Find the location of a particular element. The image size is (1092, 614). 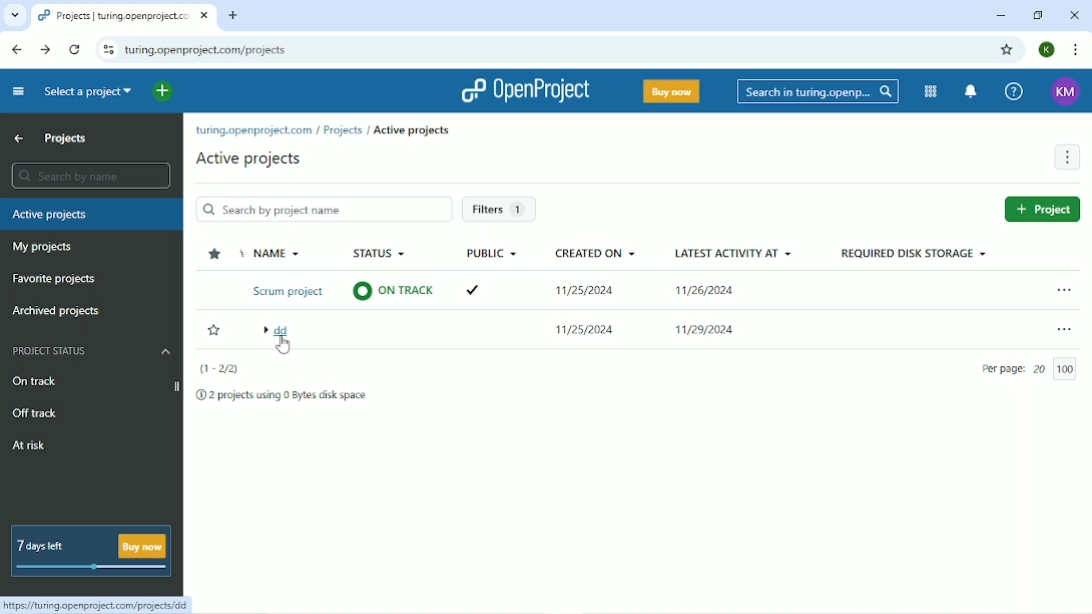

Account is located at coordinates (1067, 90).